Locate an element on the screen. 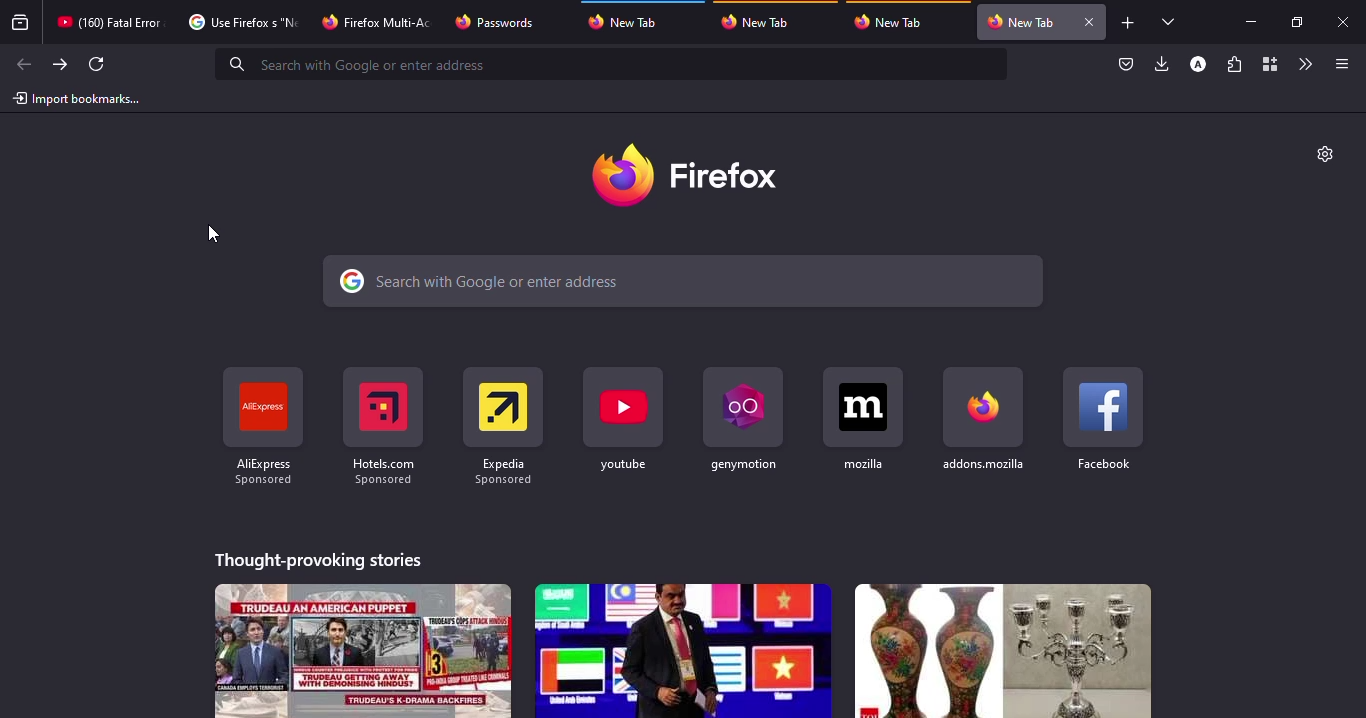 The image size is (1366, 718). shortcuts is located at coordinates (503, 430).